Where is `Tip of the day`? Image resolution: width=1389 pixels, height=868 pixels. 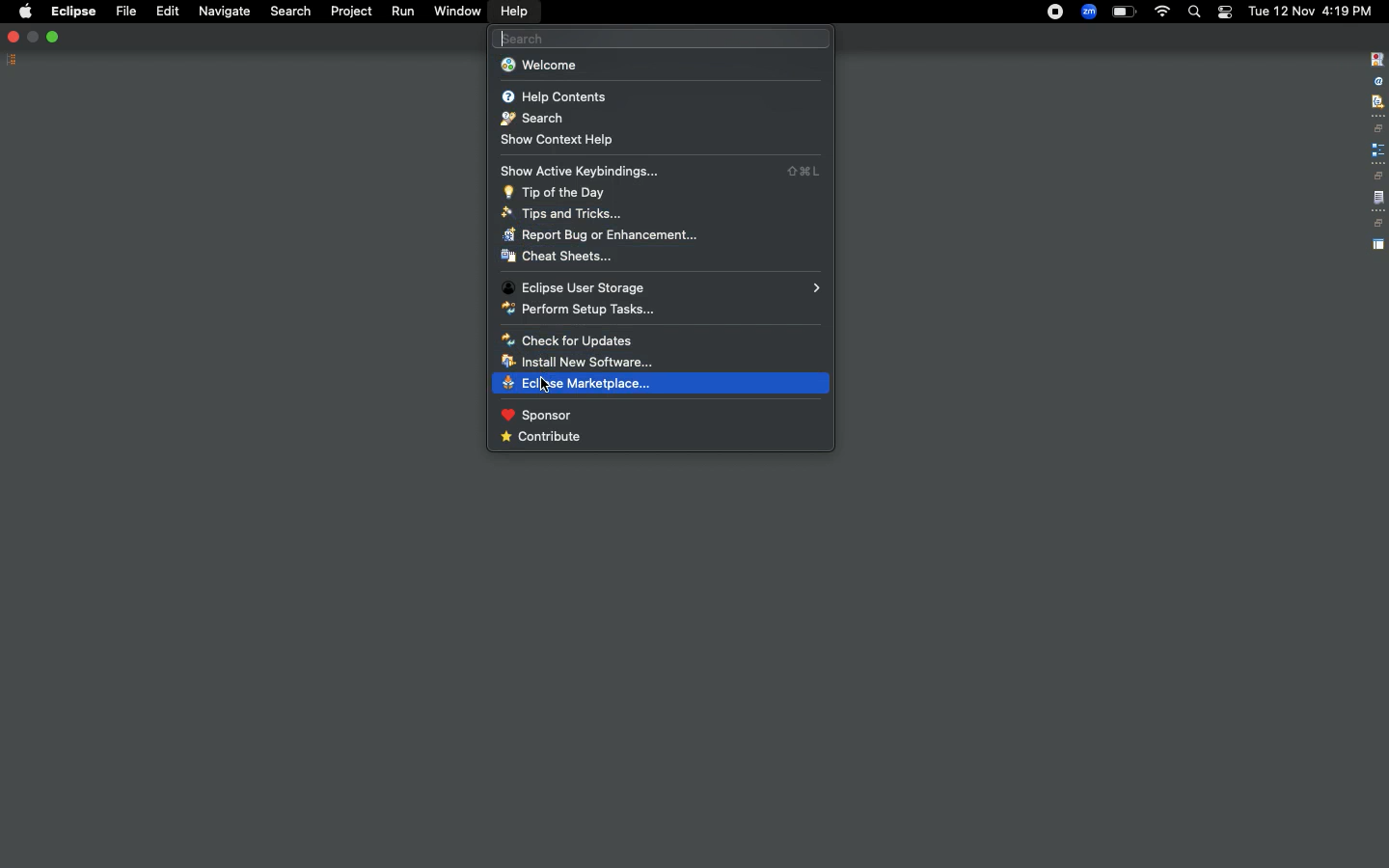
Tip of the day is located at coordinates (551, 192).